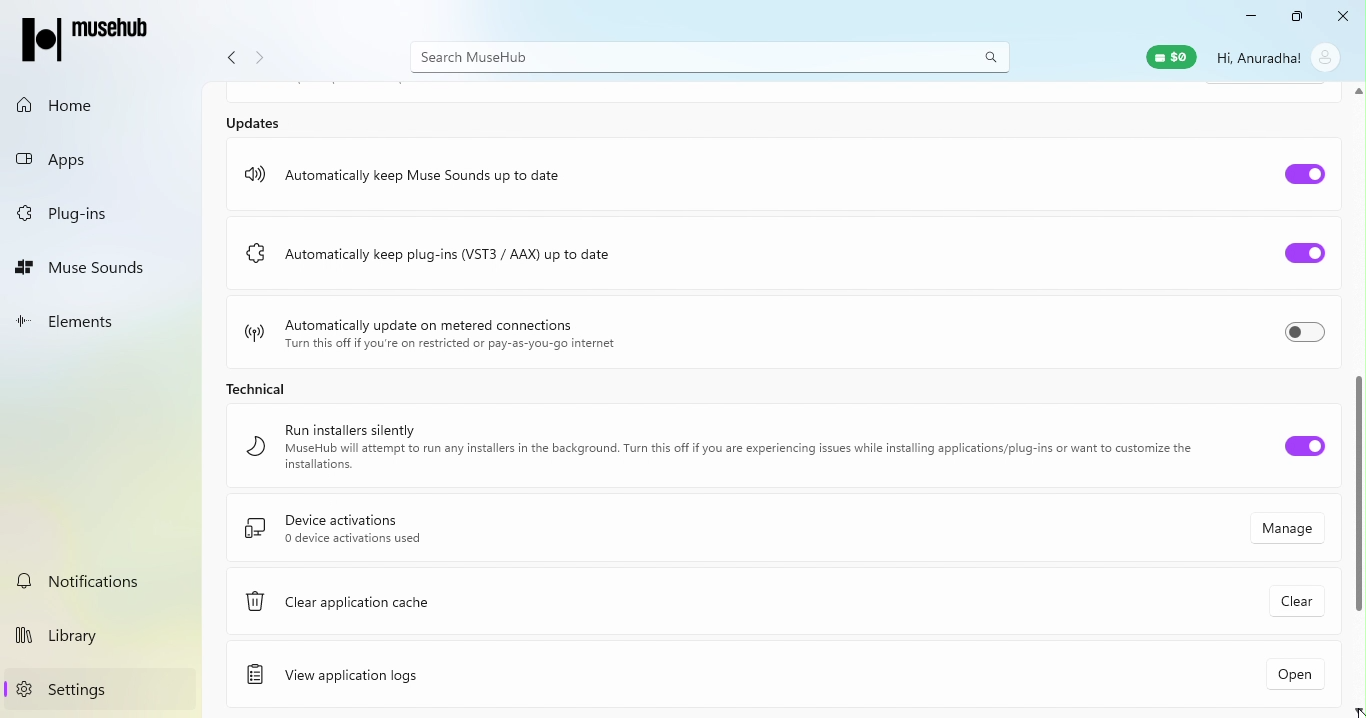 Image resolution: width=1366 pixels, height=718 pixels. Describe the element at coordinates (1288, 532) in the screenshot. I see `Manage` at that location.